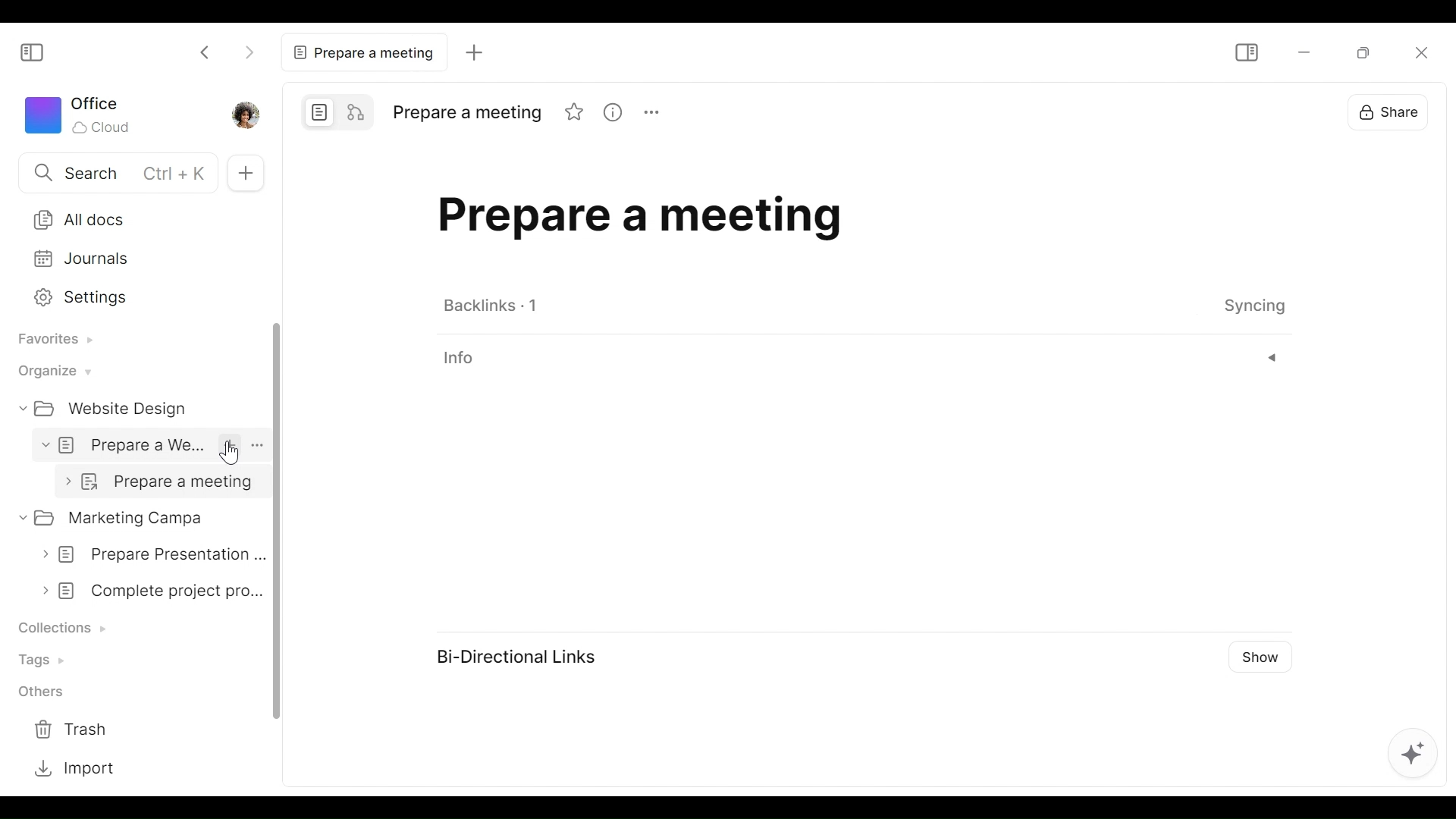 The width and height of the screenshot is (1456, 819). I want to click on Show, so click(1264, 656).